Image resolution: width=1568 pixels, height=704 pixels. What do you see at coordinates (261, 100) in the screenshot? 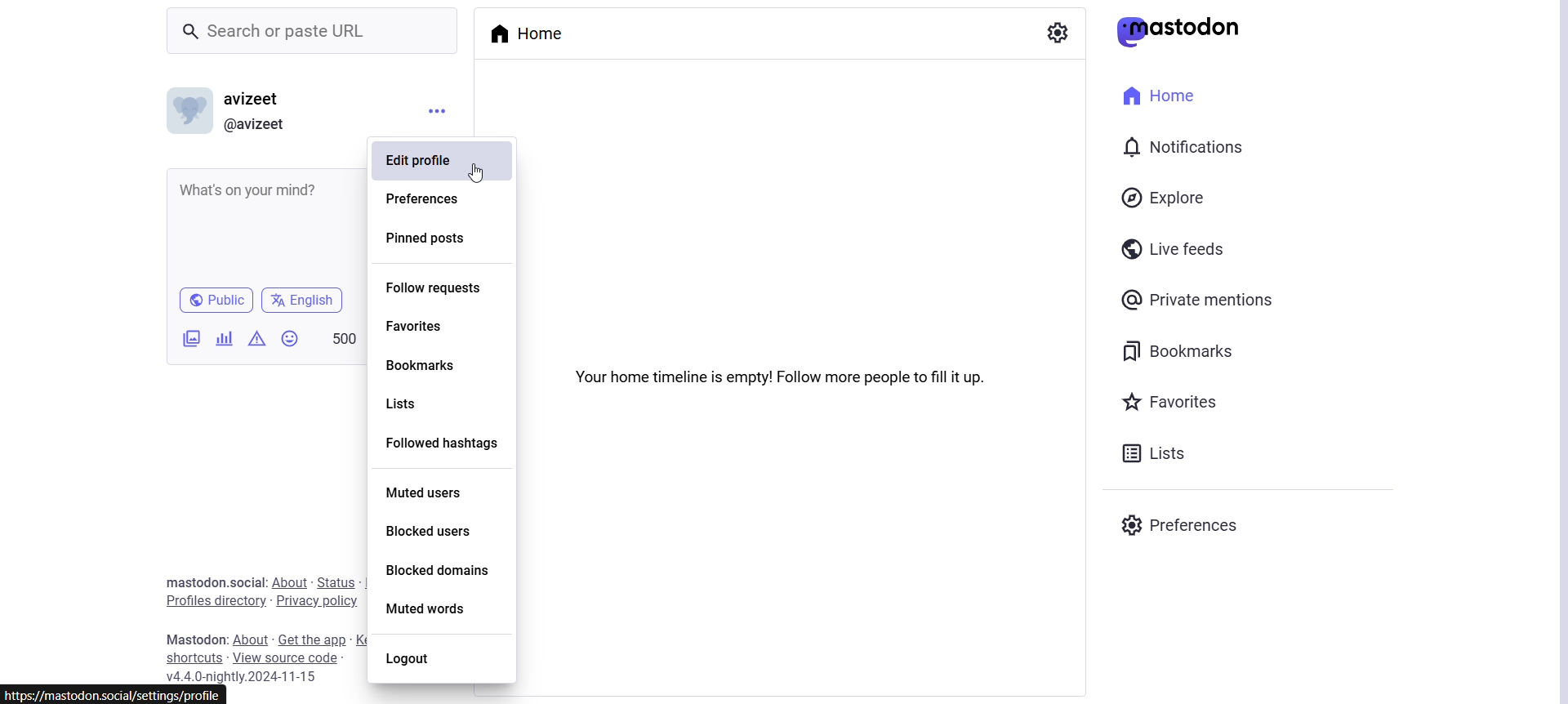
I see `User Name` at bounding box center [261, 100].